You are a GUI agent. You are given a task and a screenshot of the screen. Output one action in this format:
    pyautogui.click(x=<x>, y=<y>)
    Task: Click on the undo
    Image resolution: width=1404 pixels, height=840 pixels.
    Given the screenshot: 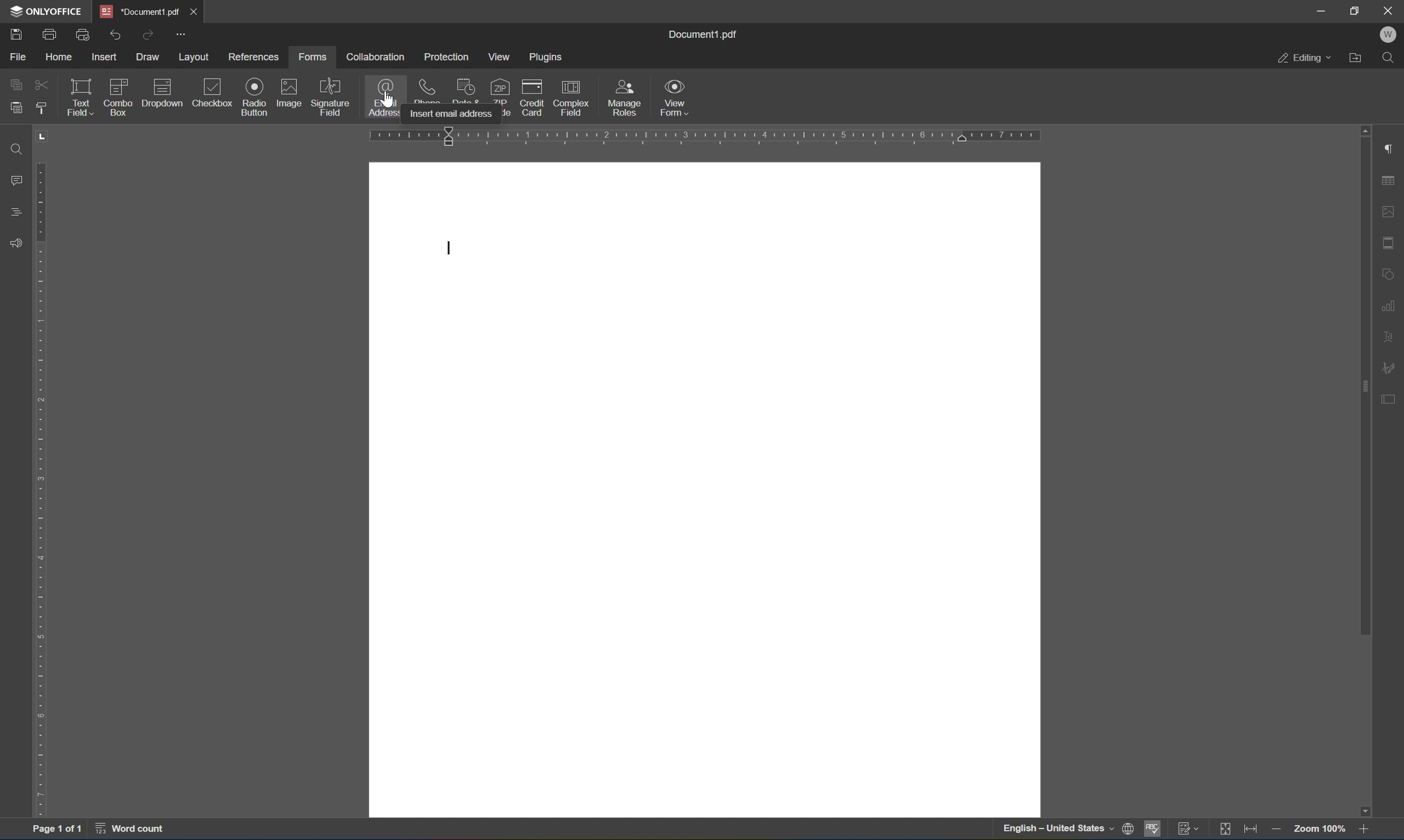 What is the action you would take?
    pyautogui.click(x=115, y=35)
    